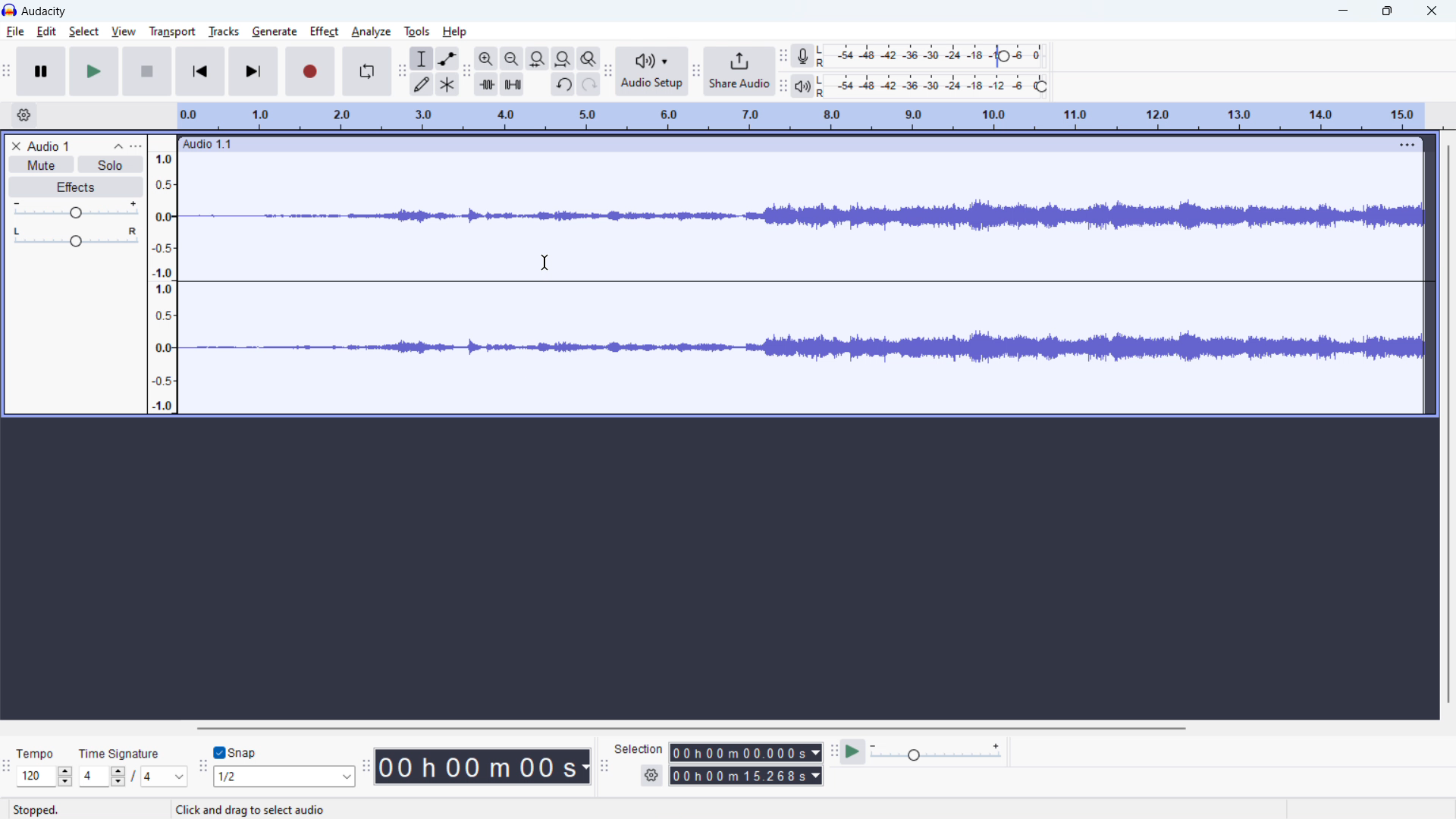 The height and width of the screenshot is (819, 1456). Describe the element at coordinates (123, 30) in the screenshot. I see `view` at that location.